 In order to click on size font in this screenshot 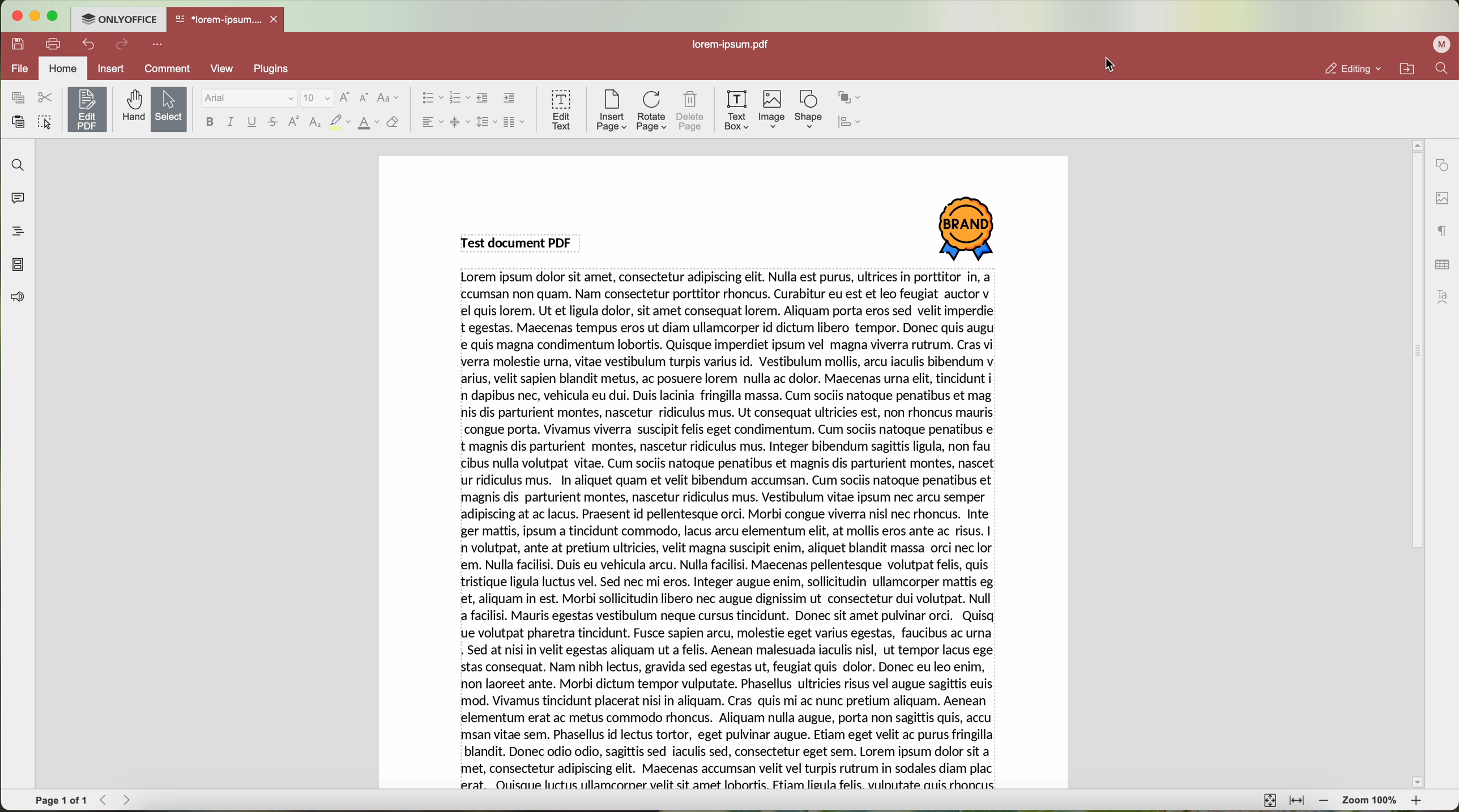, I will do `click(317, 99)`.